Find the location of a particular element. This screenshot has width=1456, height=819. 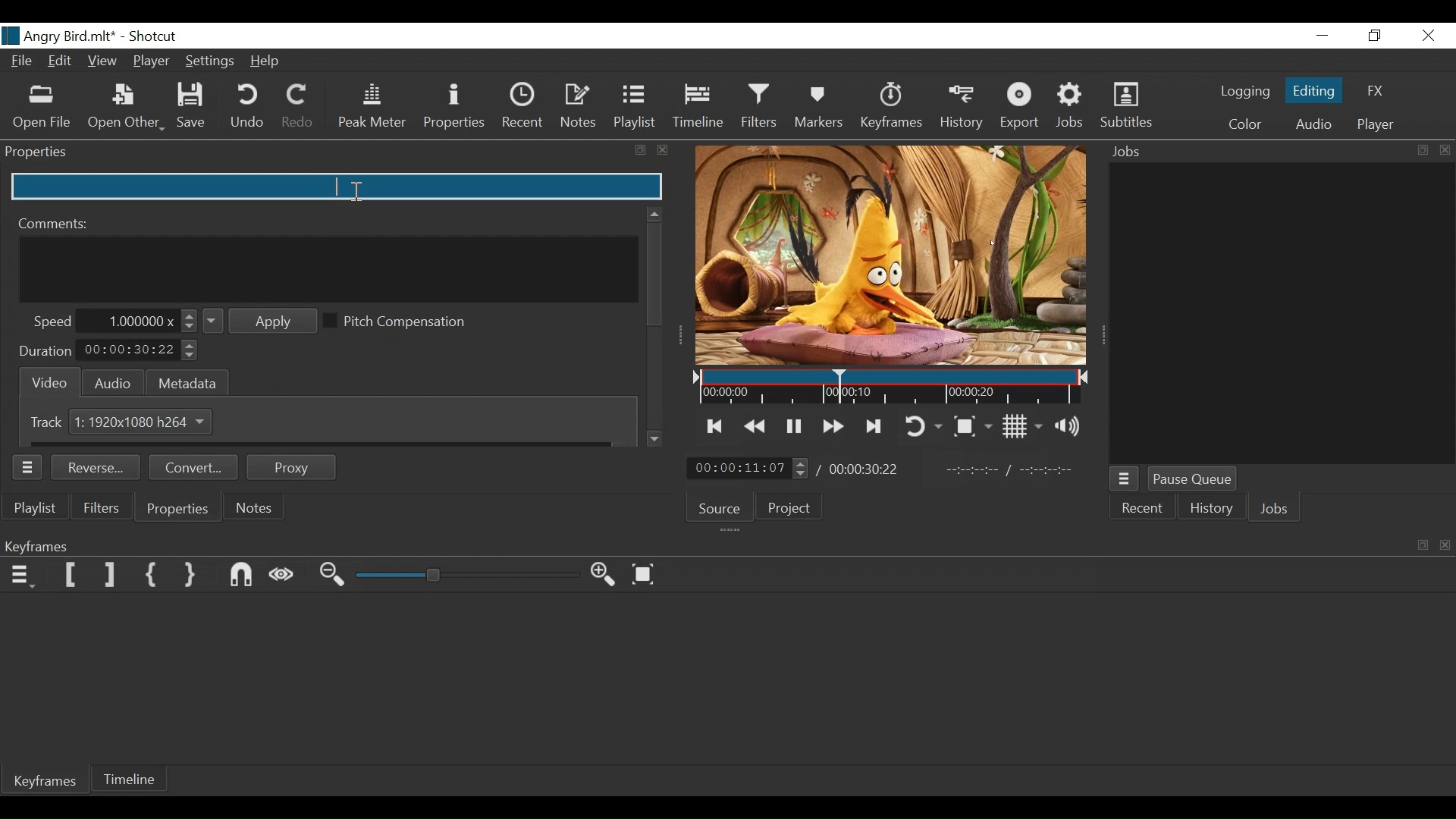

player is located at coordinates (1373, 127).